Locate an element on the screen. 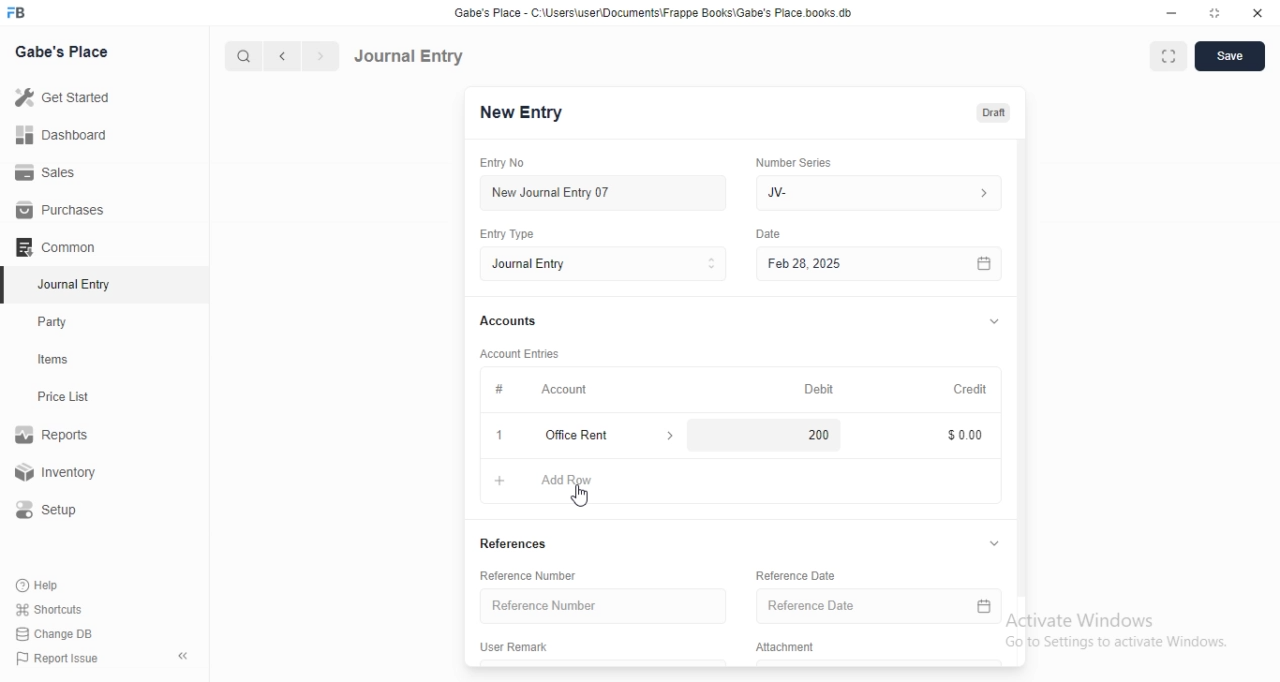 This screenshot has width=1280, height=682. Shortcuts is located at coordinates (49, 608).